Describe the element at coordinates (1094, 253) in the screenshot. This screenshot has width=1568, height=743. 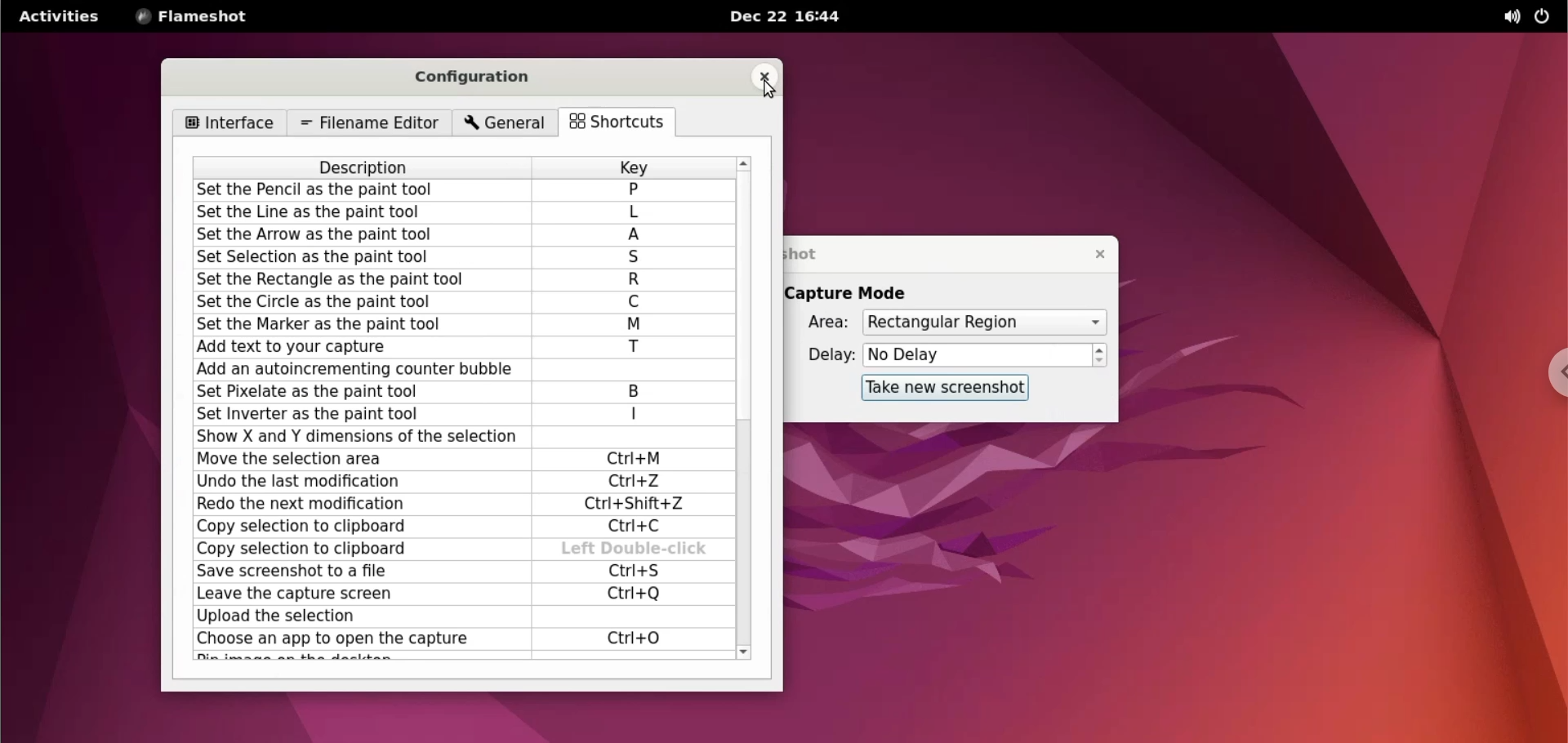
I see `close` at that location.